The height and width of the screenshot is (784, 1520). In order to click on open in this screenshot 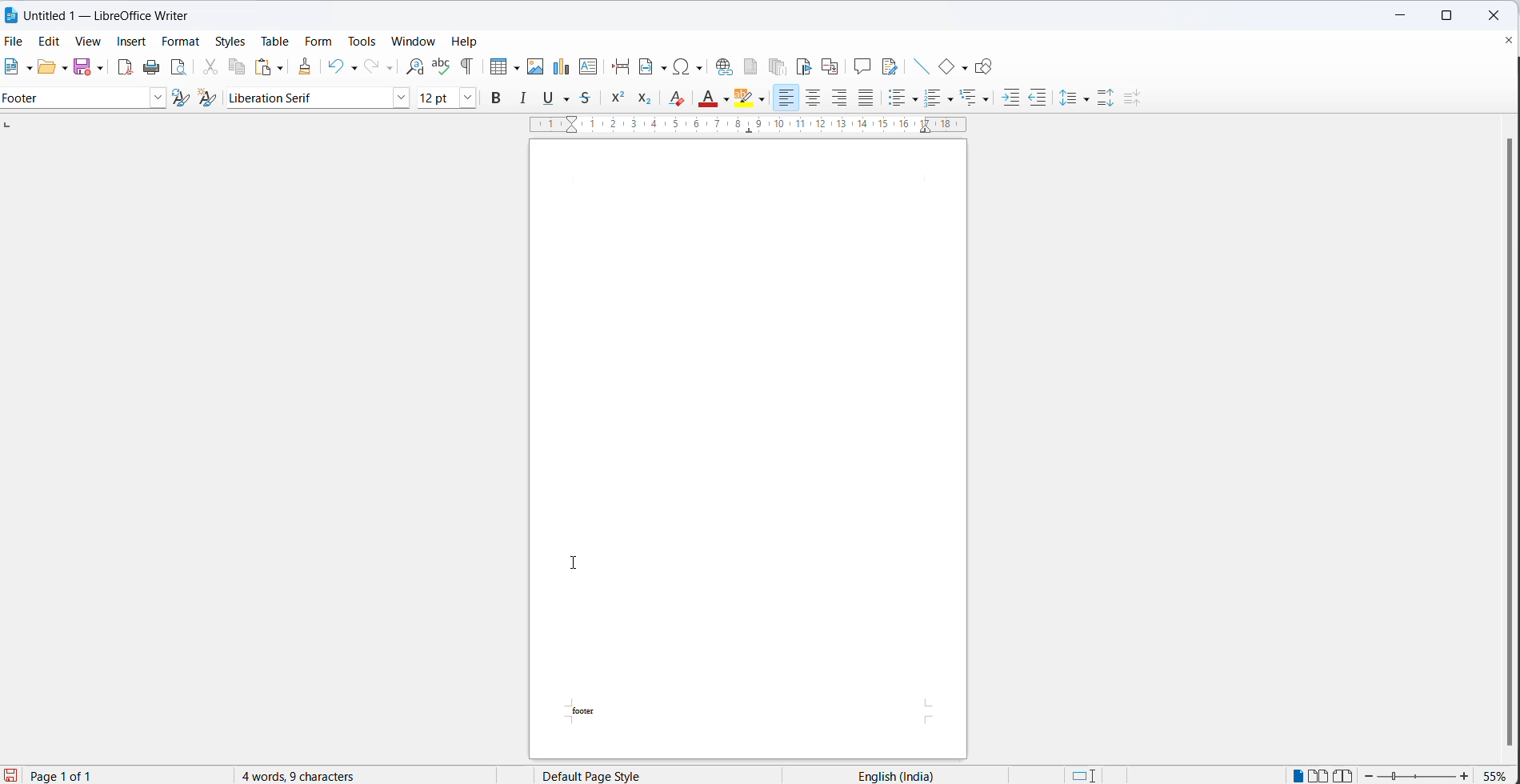, I will do `click(44, 68)`.